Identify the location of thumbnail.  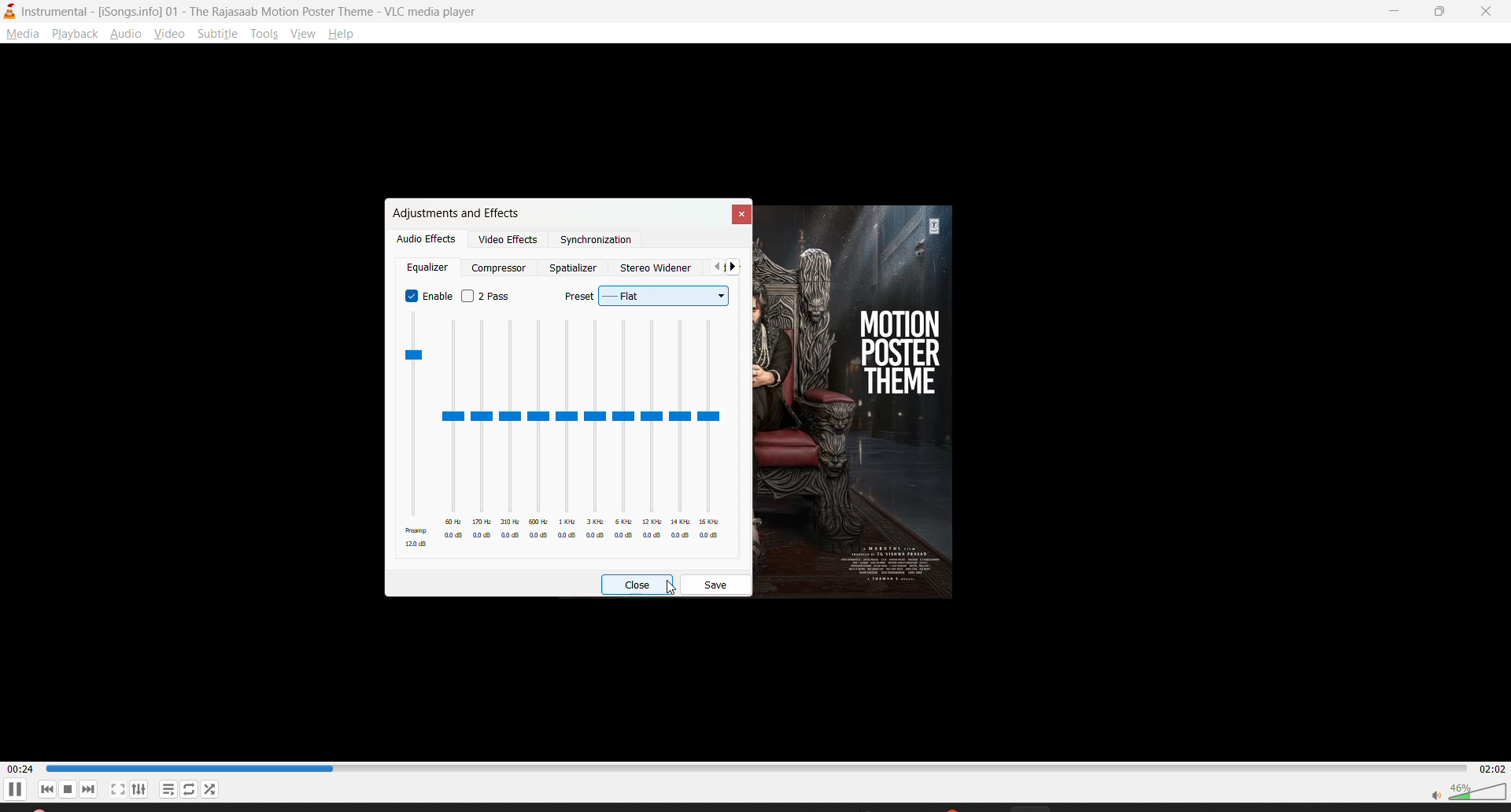
(878, 398).